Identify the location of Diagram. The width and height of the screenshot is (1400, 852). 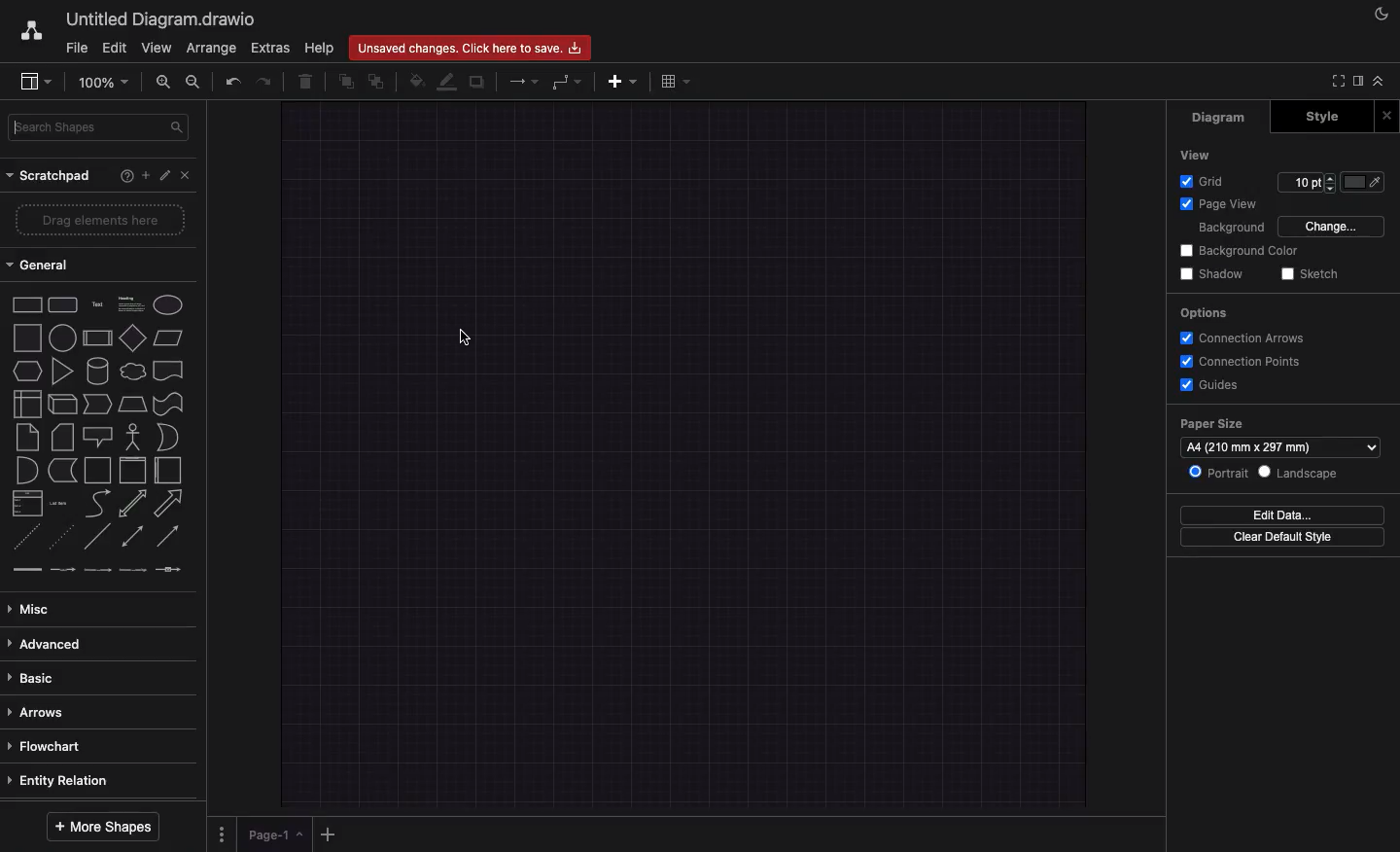
(1228, 119).